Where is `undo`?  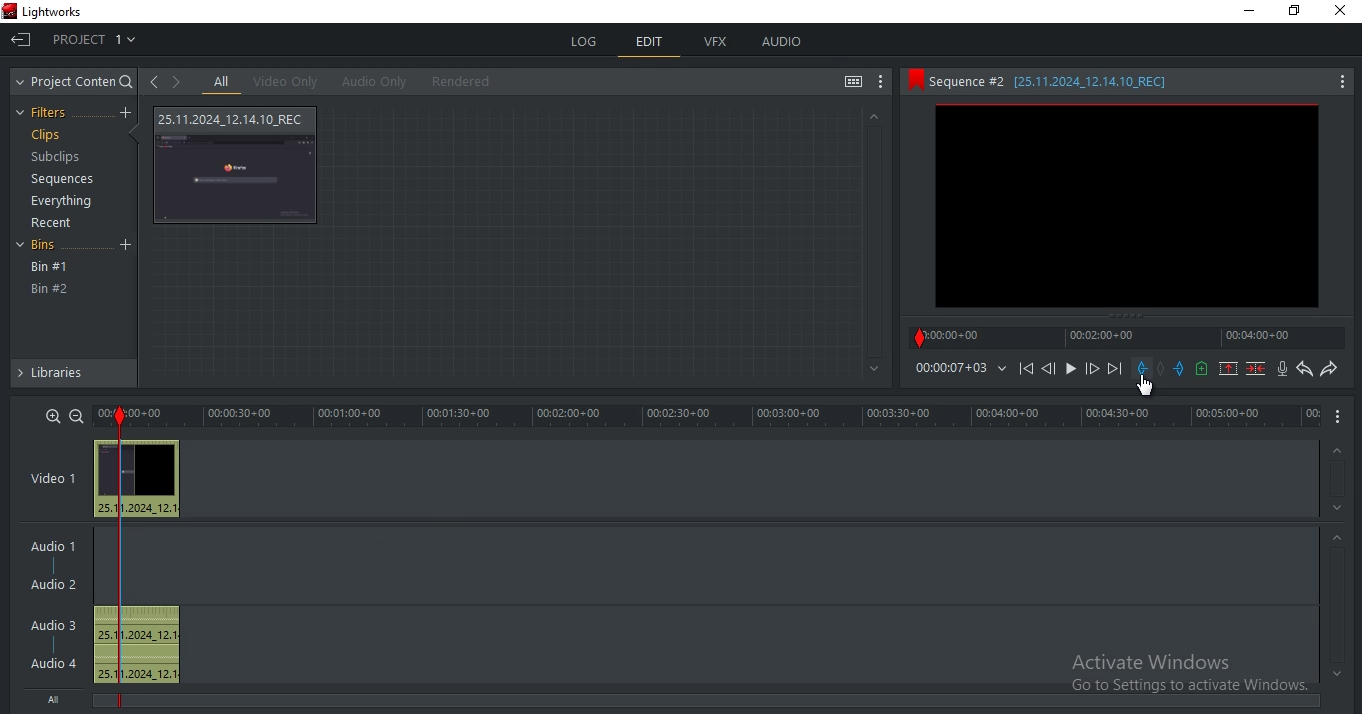 undo is located at coordinates (1305, 369).